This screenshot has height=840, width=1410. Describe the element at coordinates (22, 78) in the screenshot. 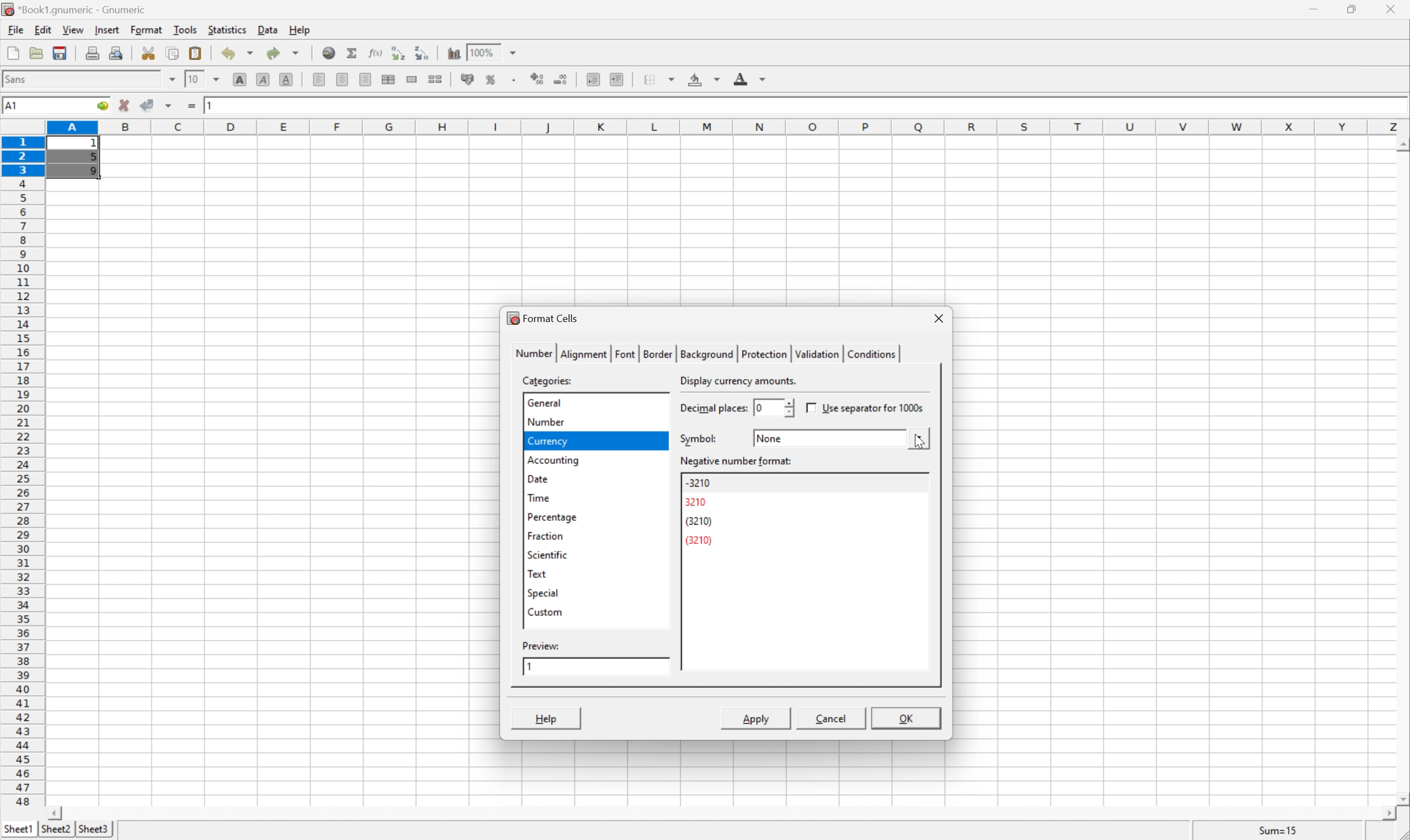

I see `font` at that location.